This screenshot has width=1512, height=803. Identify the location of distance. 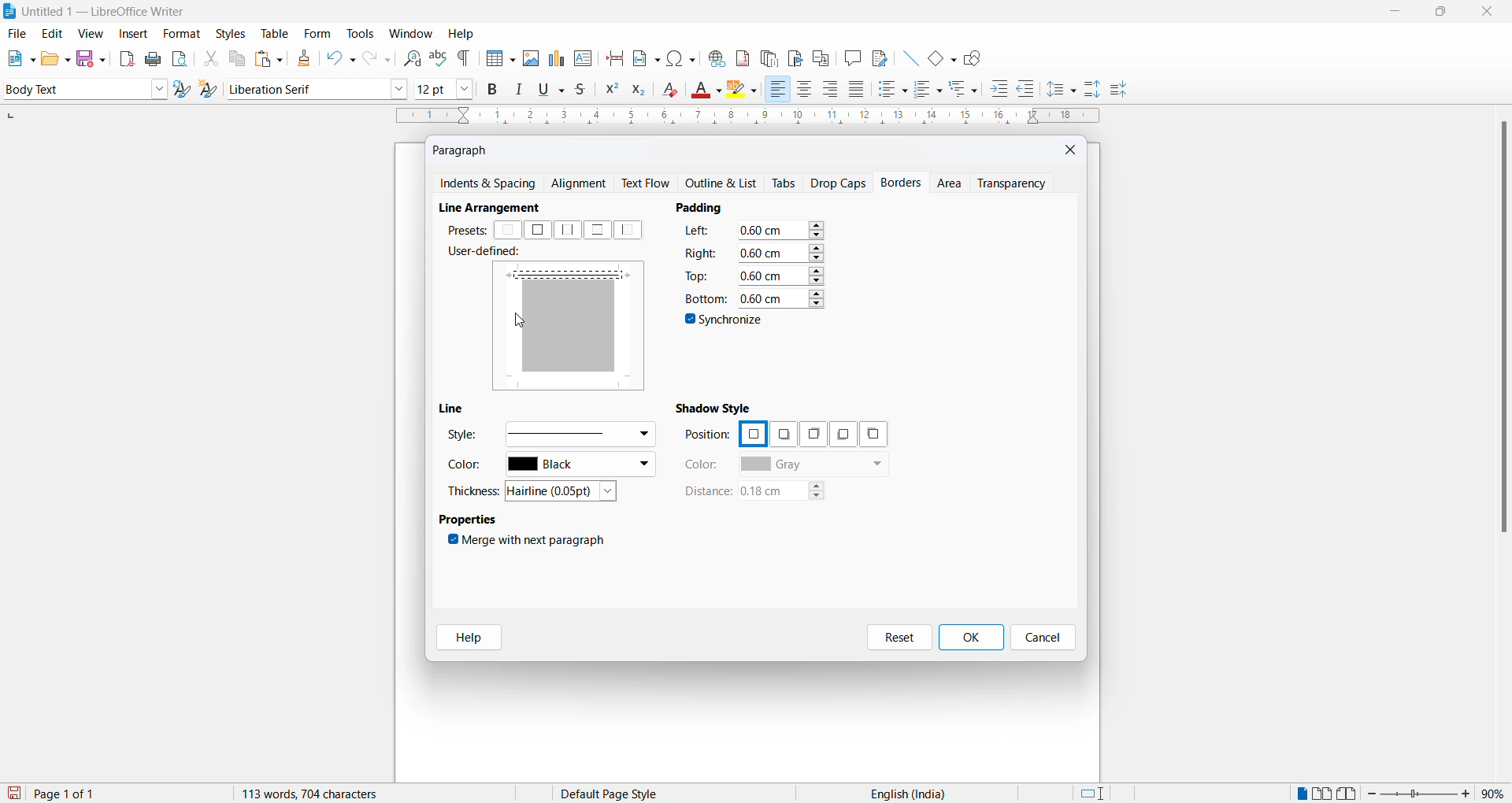
(706, 492).